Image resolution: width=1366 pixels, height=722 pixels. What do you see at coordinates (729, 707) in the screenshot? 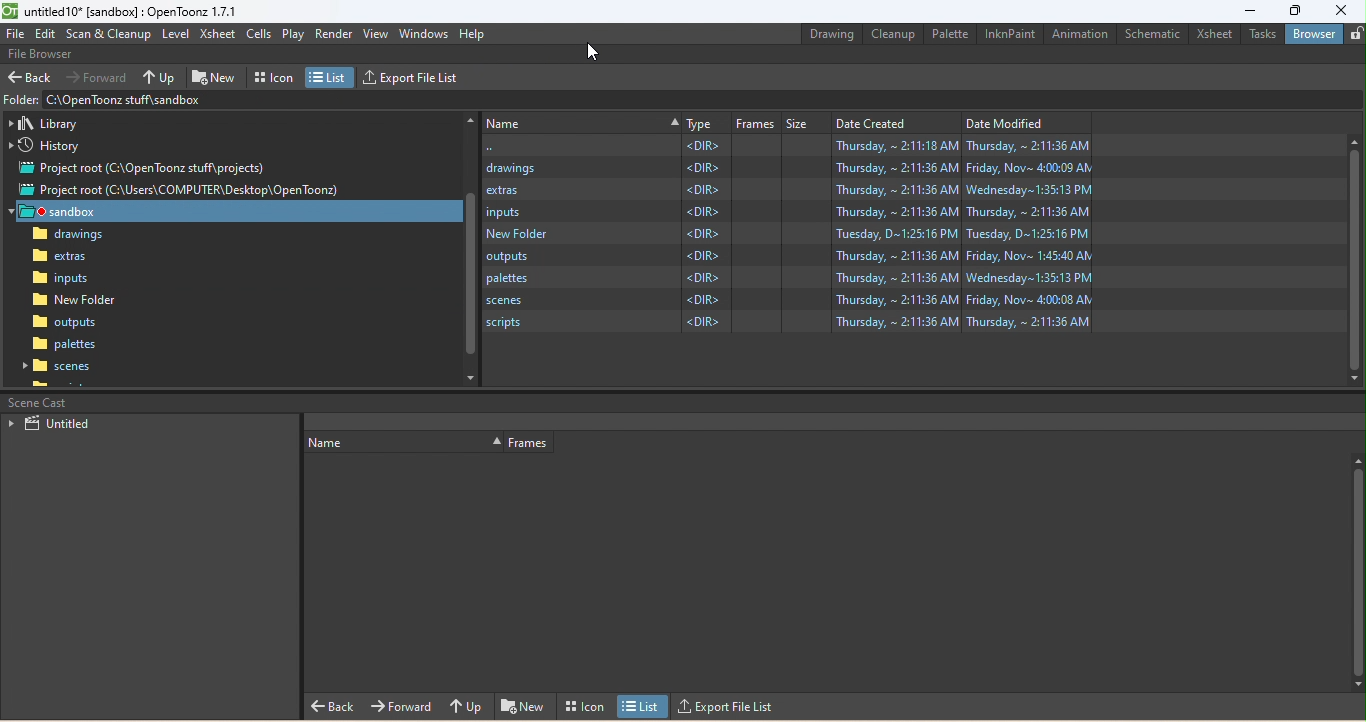
I see `Export file list` at bounding box center [729, 707].